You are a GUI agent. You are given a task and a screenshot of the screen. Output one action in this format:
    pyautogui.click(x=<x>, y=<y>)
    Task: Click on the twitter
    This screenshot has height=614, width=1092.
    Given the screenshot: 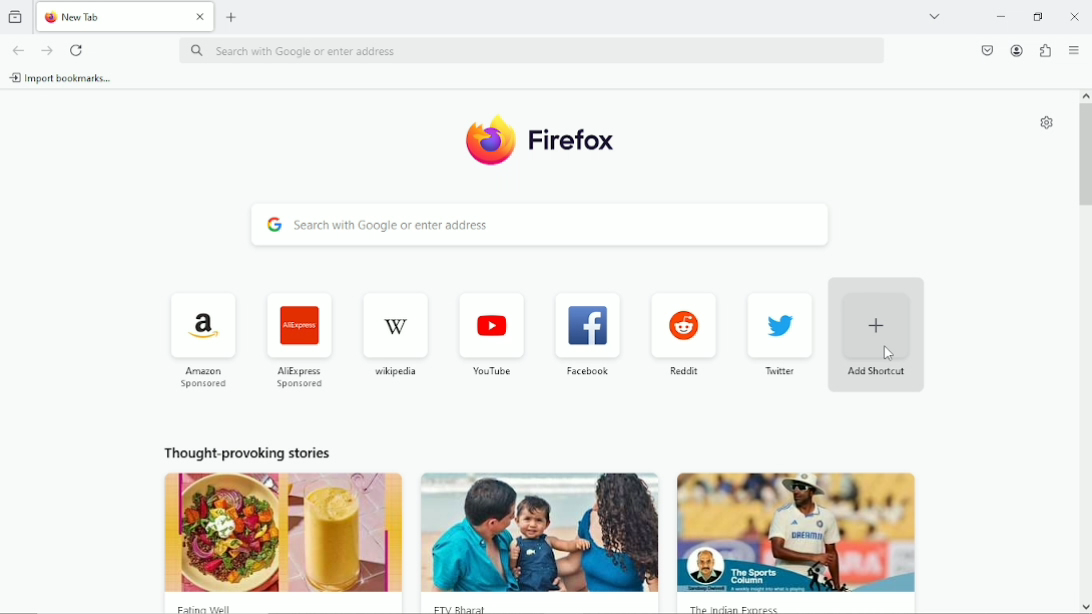 What is the action you would take?
    pyautogui.click(x=778, y=335)
    